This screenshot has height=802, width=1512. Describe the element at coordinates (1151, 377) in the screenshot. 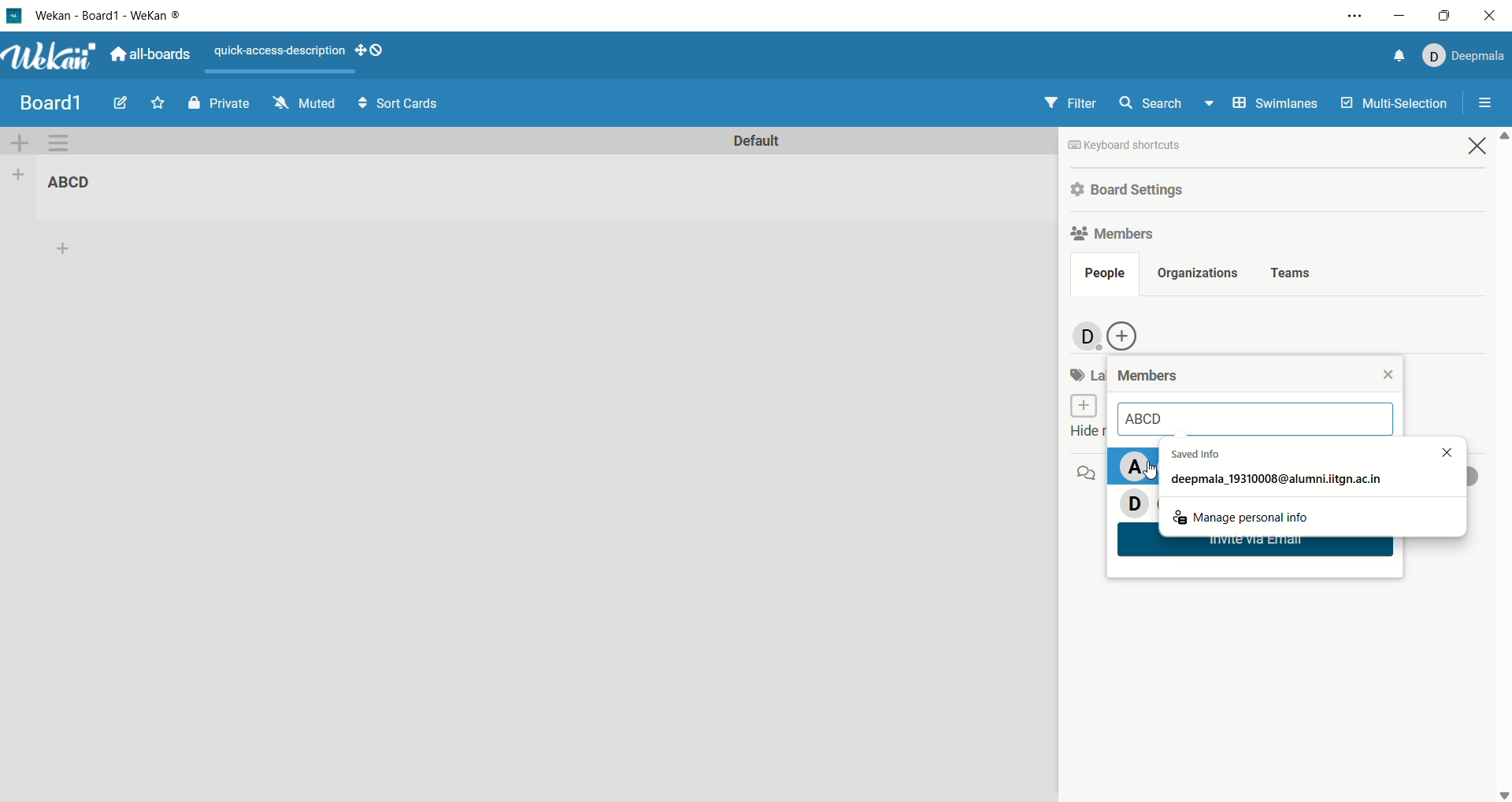

I see `members` at that location.